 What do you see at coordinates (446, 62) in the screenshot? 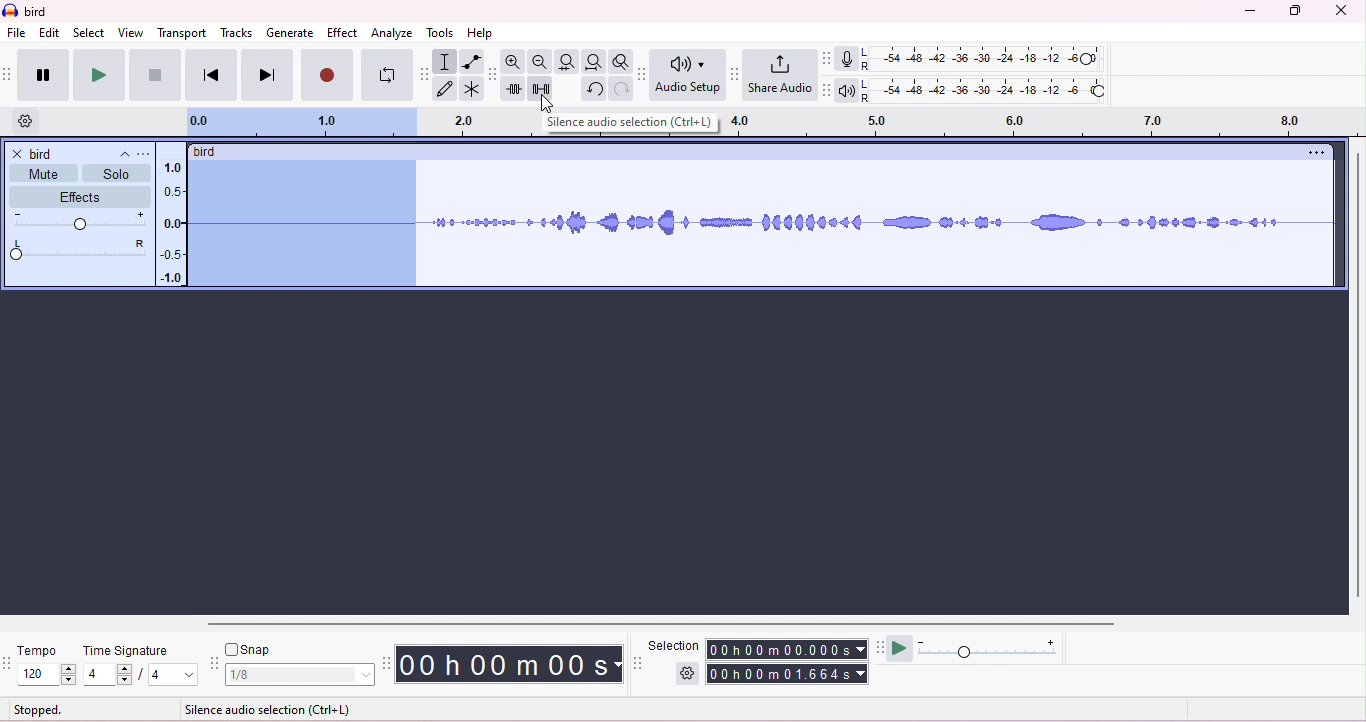
I see `selection` at bounding box center [446, 62].